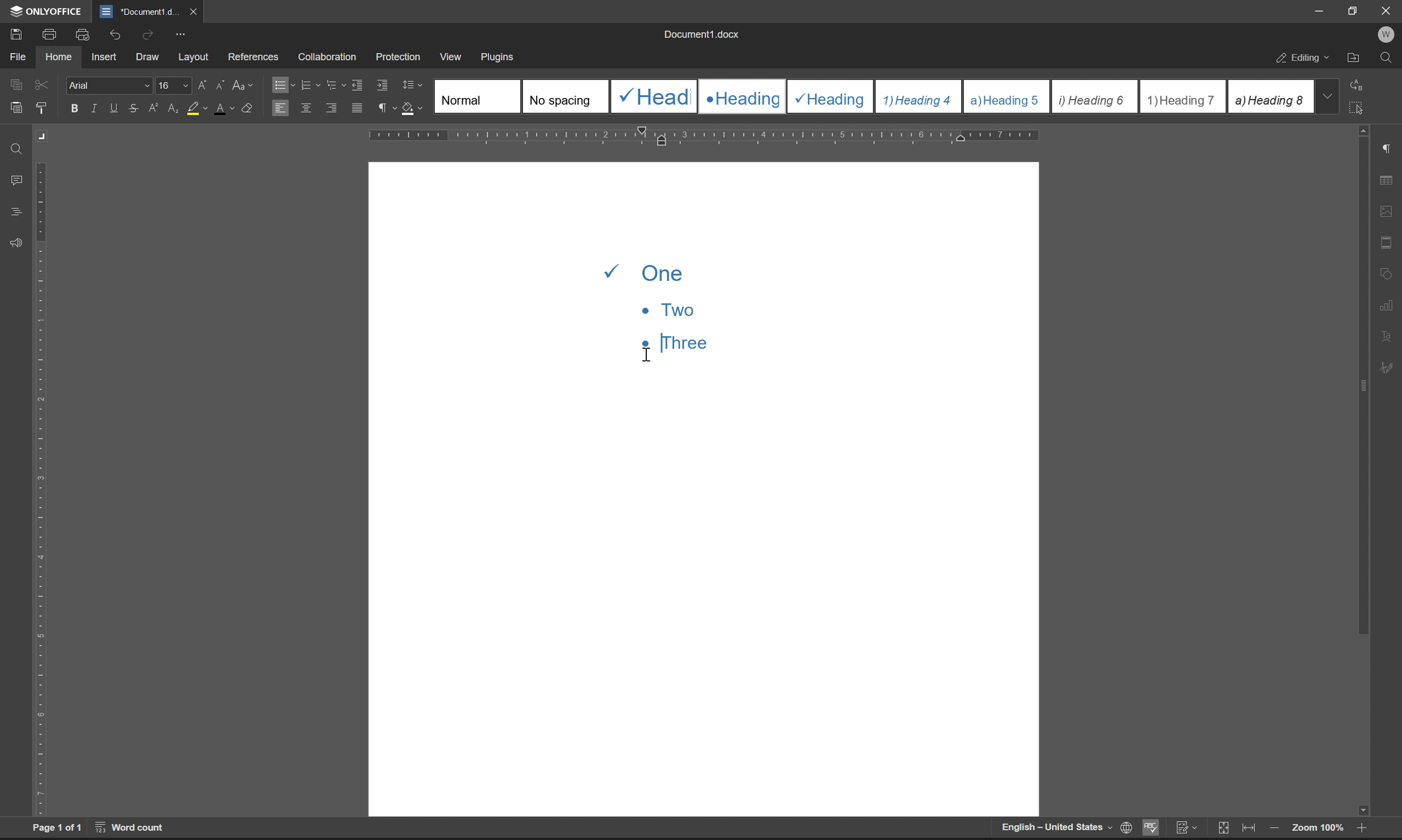 The height and width of the screenshot is (840, 1402). What do you see at coordinates (331, 57) in the screenshot?
I see `collaboration` at bounding box center [331, 57].